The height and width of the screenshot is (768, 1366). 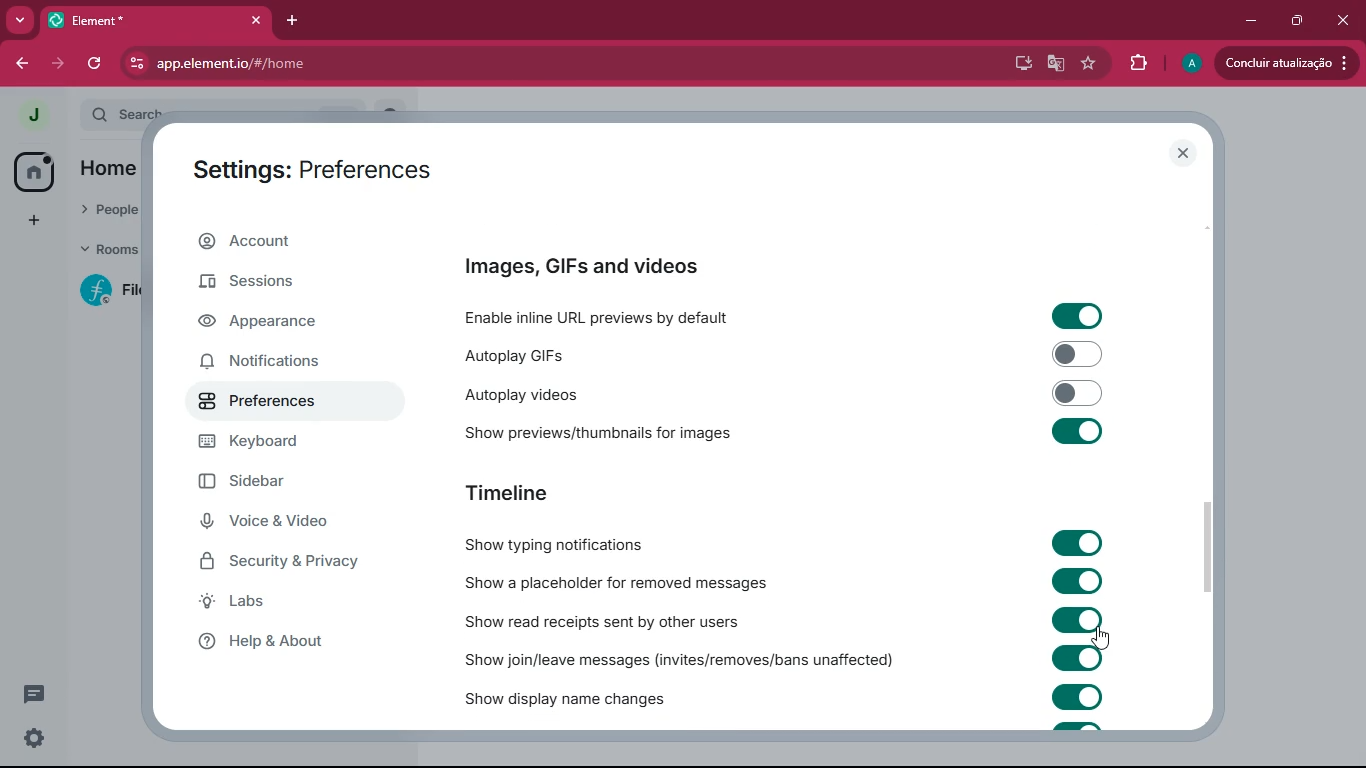 What do you see at coordinates (1100, 638) in the screenshot?
I see `cursor` at bounding box center [1100, 638].